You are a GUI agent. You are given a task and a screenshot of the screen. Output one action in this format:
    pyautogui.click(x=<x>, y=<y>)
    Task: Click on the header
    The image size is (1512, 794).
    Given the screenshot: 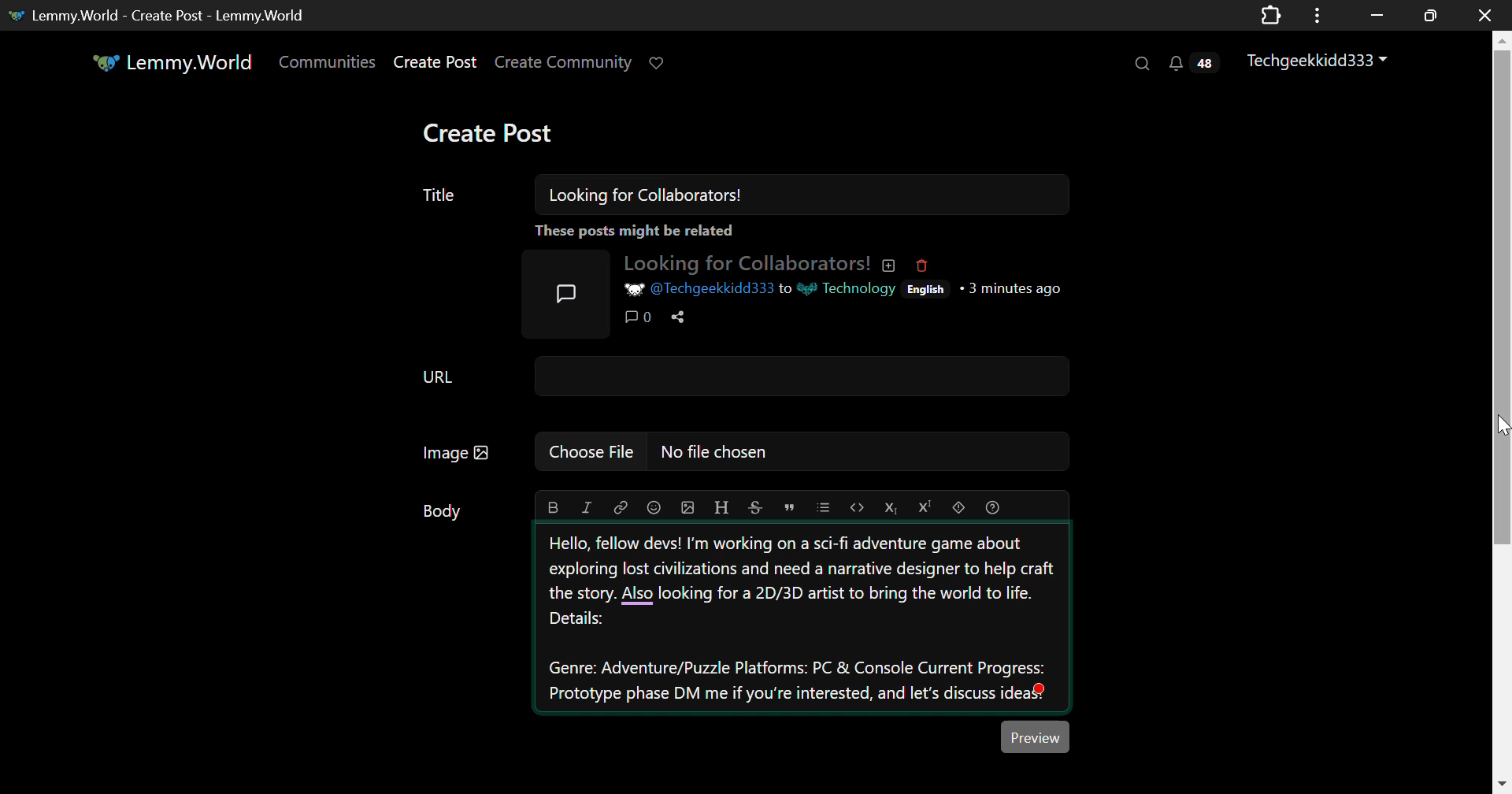 What is the action you would take?
    pyautogui.click(x=722, y=508)
    